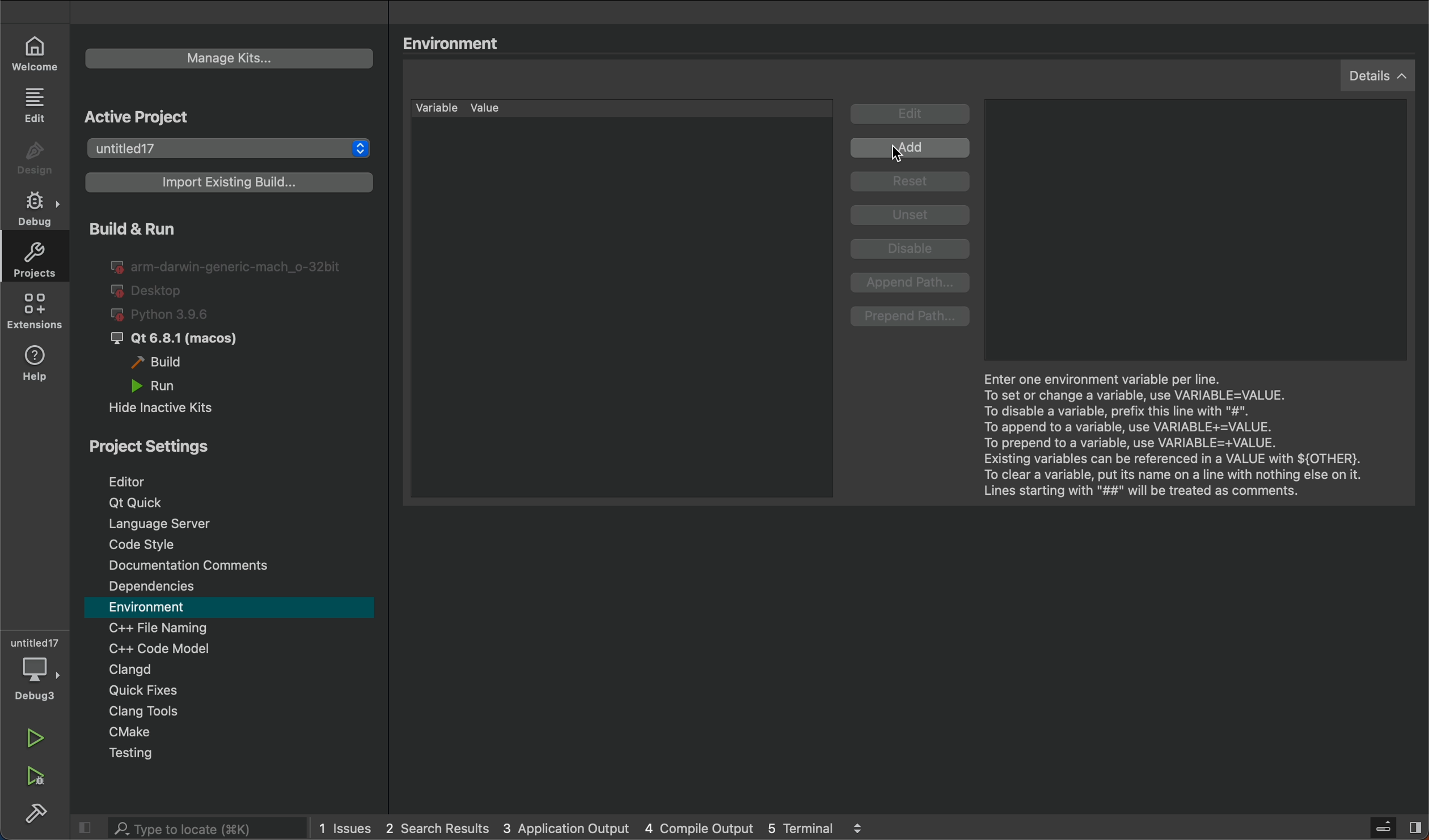 This screenshot has height=840, width=1429. I want to click on editor, so click(227, 478).